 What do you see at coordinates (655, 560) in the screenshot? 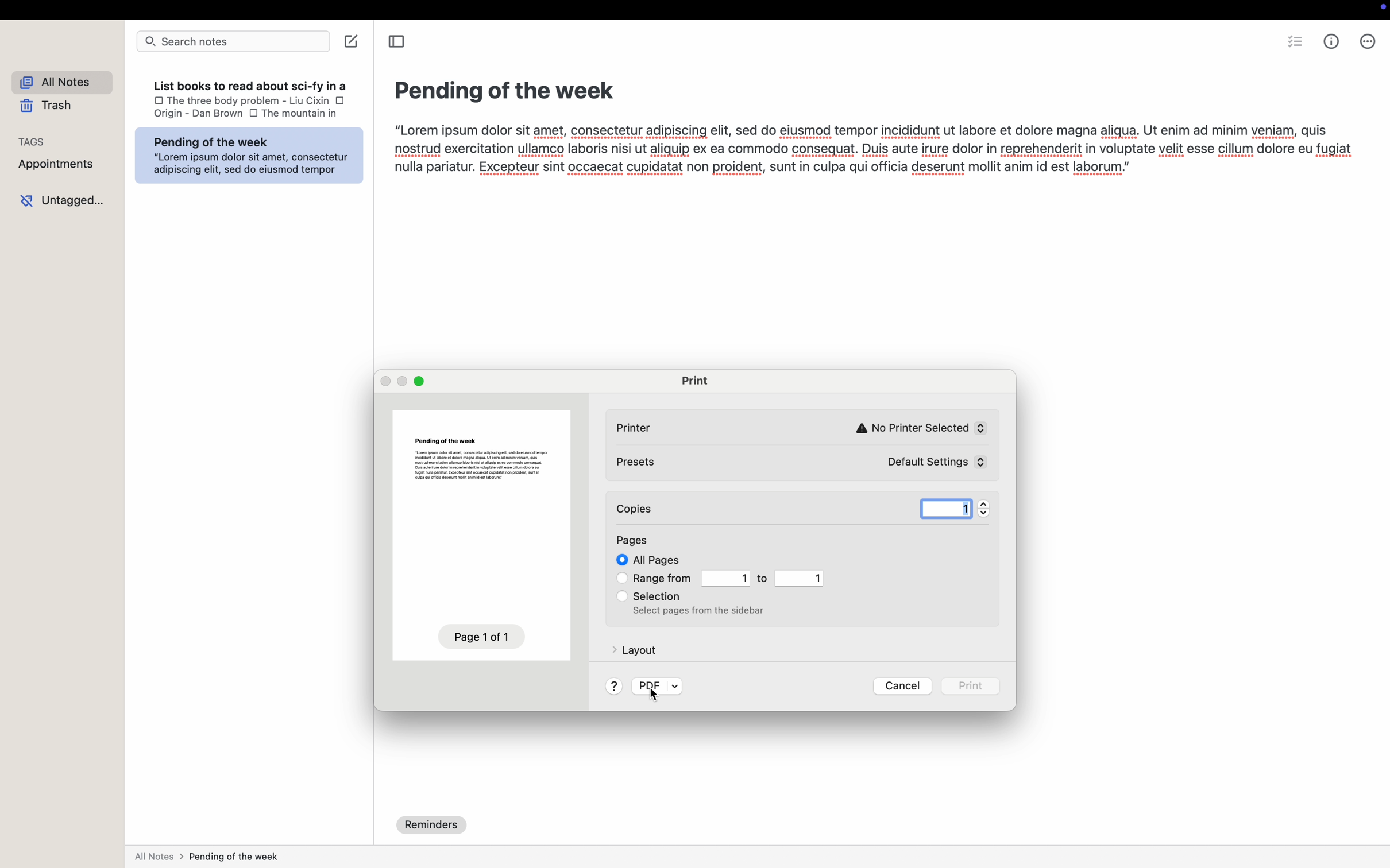
I see `all pages` at bounding box center [655, 560].